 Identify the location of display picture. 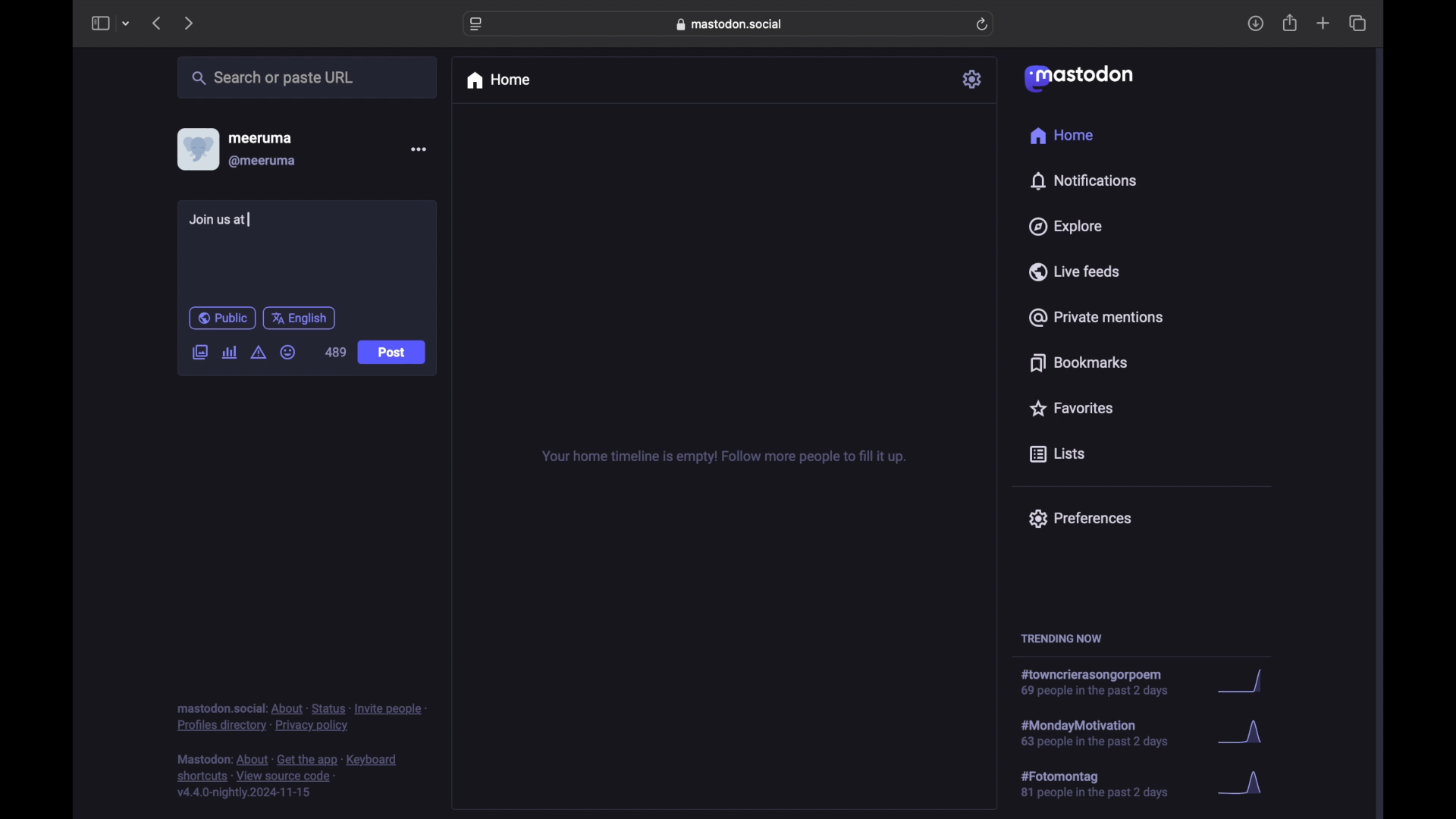
(196, 149).